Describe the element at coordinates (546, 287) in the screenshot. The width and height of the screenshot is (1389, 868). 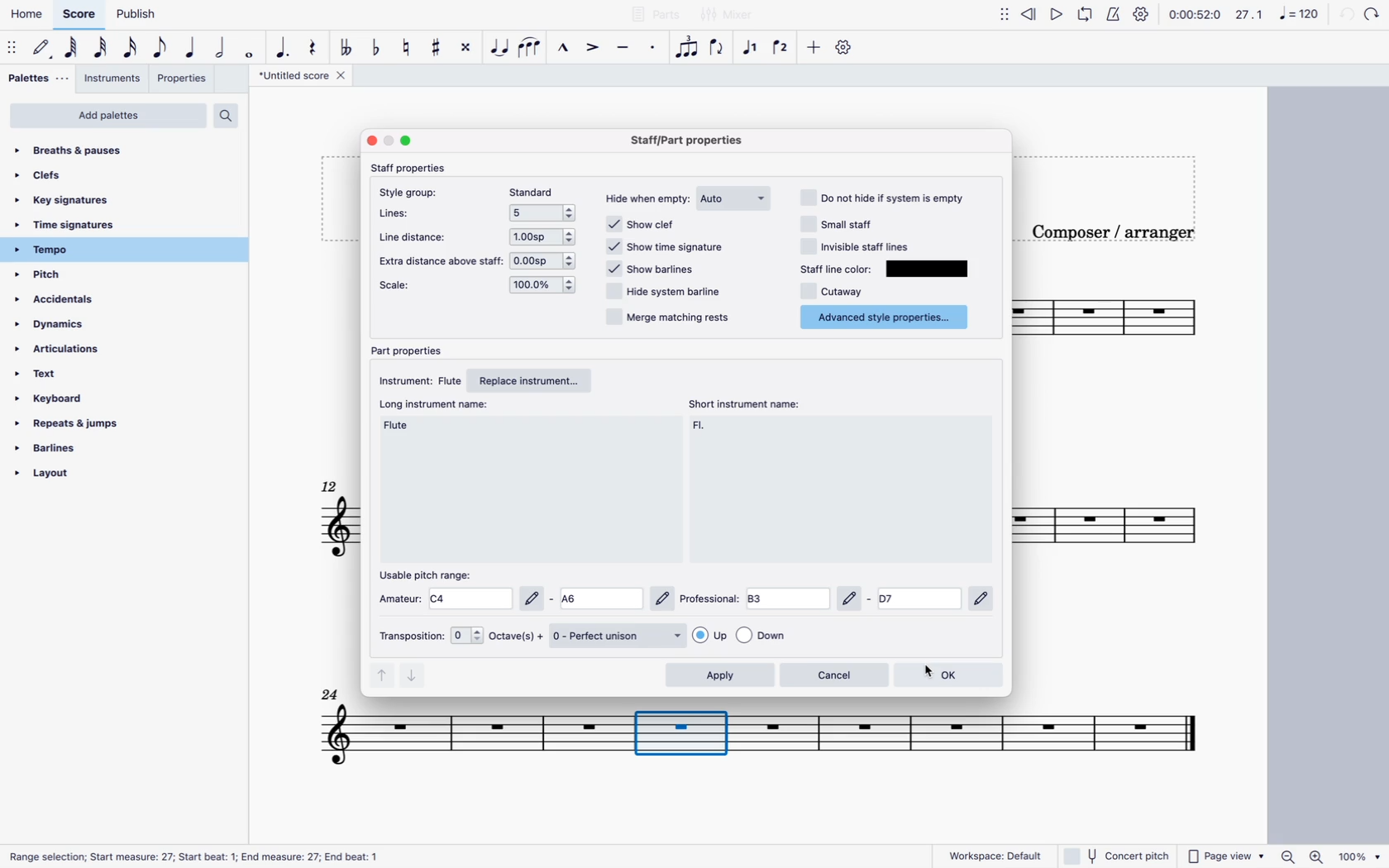
I see `options` at that location.